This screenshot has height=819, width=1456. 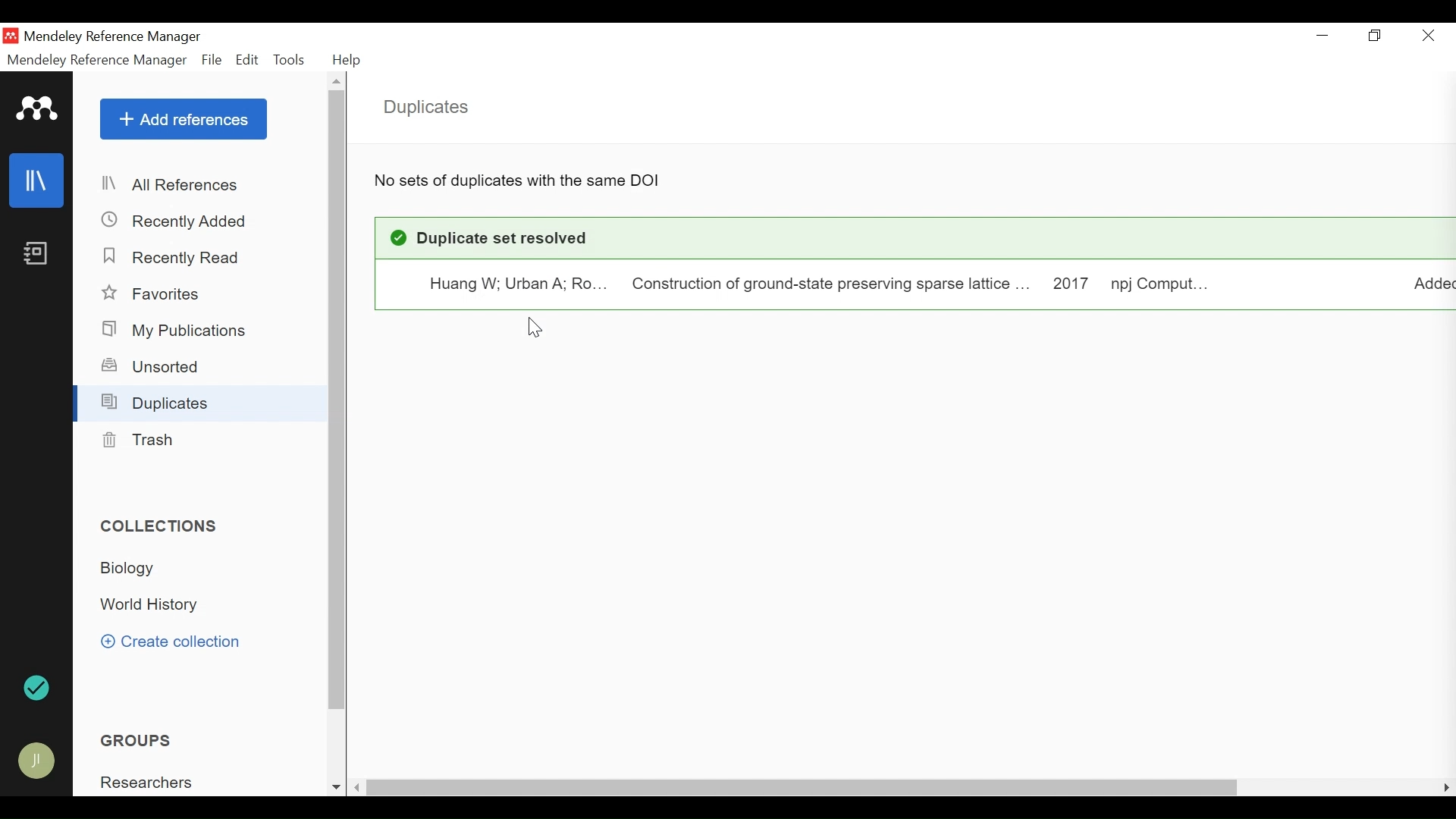 What do you see at coordinates (147, 781) in the screenshot?
I see `Group` at bounding box center [147, 781].